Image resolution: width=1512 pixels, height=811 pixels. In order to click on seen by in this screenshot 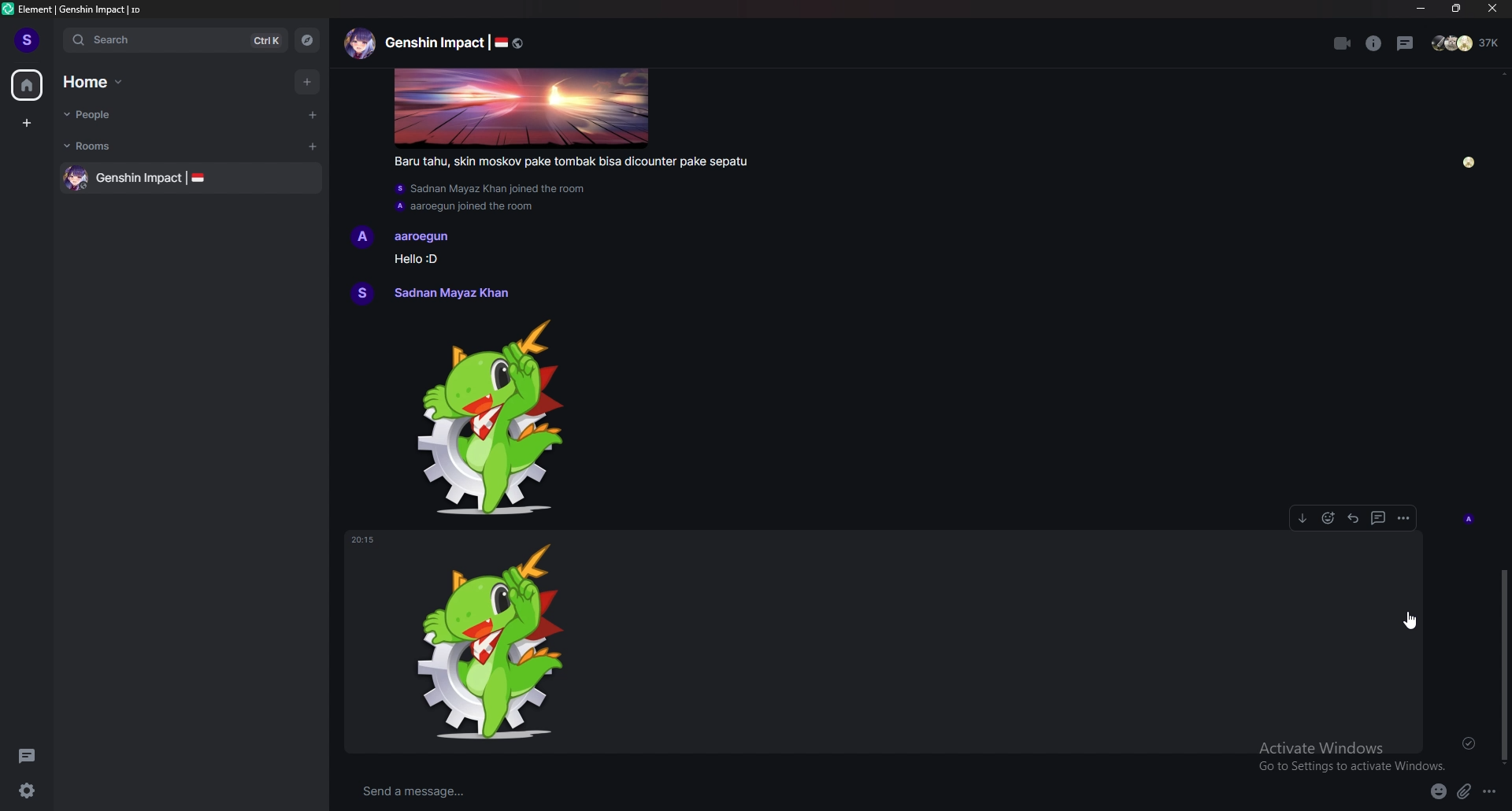, I will do `click(1468, 519)`.